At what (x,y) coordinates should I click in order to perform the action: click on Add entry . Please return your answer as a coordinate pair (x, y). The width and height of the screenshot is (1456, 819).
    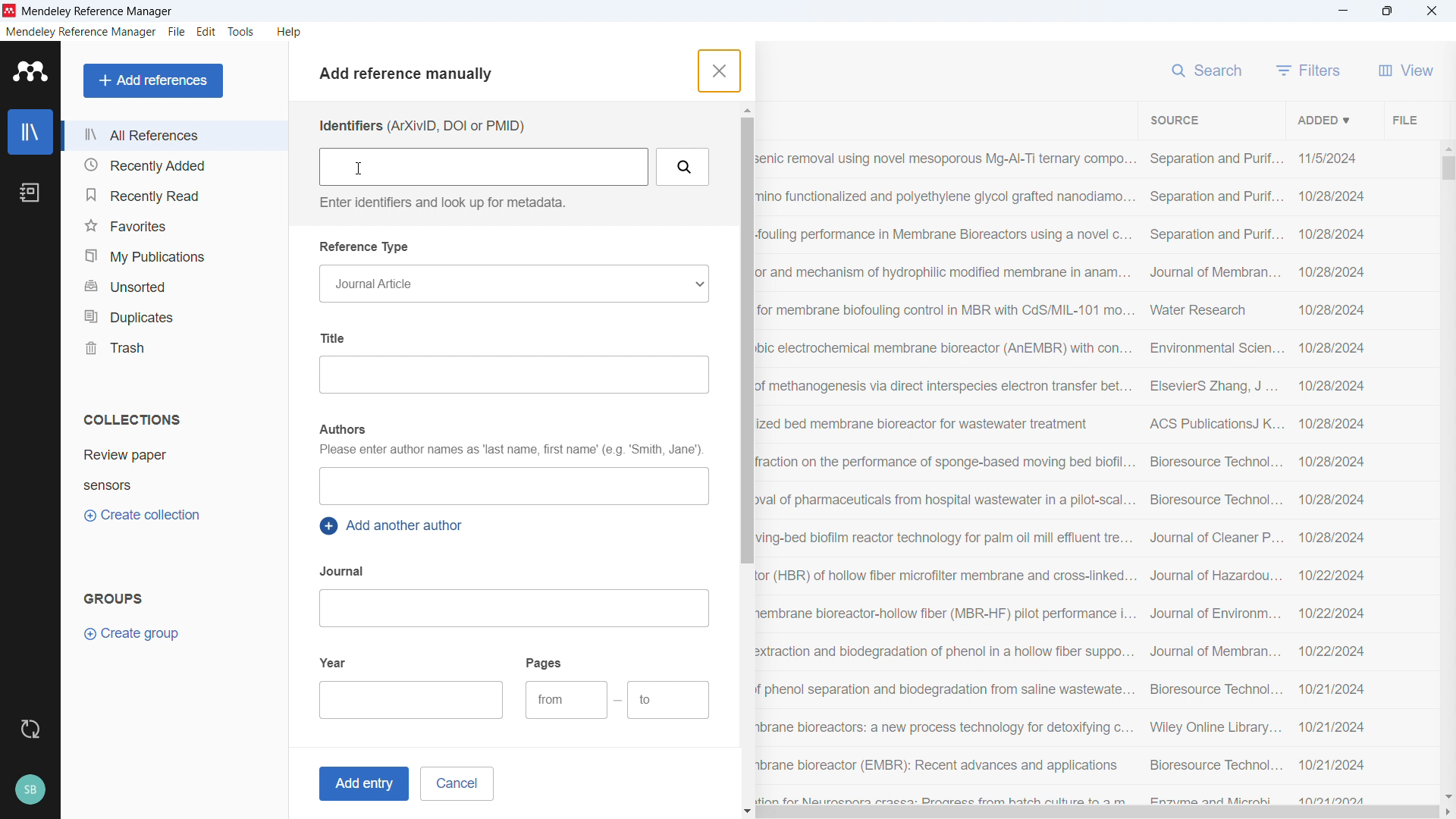
    Looking at the image, I should click on (361, 784).